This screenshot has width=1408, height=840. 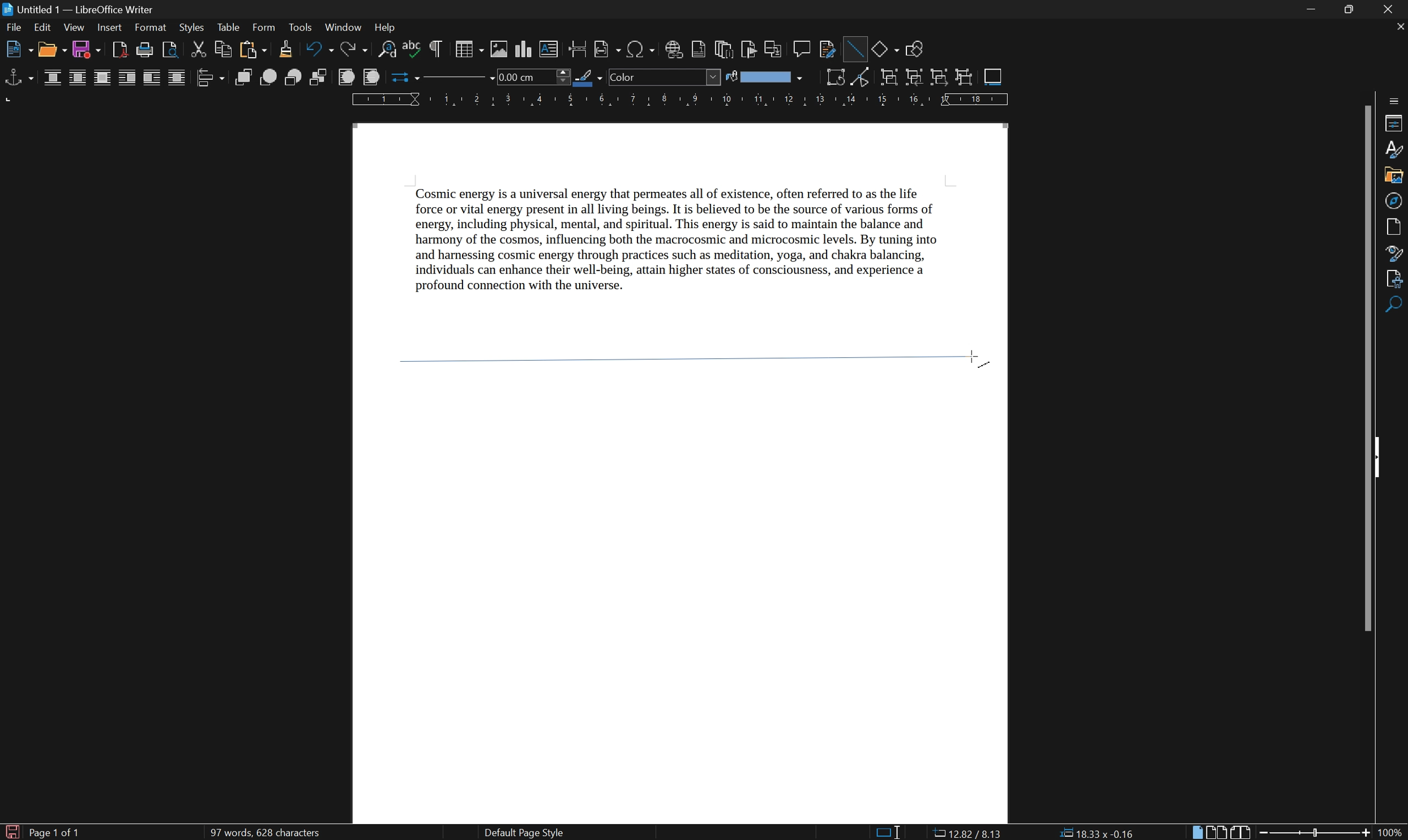 What do you see at coordinates (265, 27) in the screenshot?
I see `form` at bounding box center [265, 27].